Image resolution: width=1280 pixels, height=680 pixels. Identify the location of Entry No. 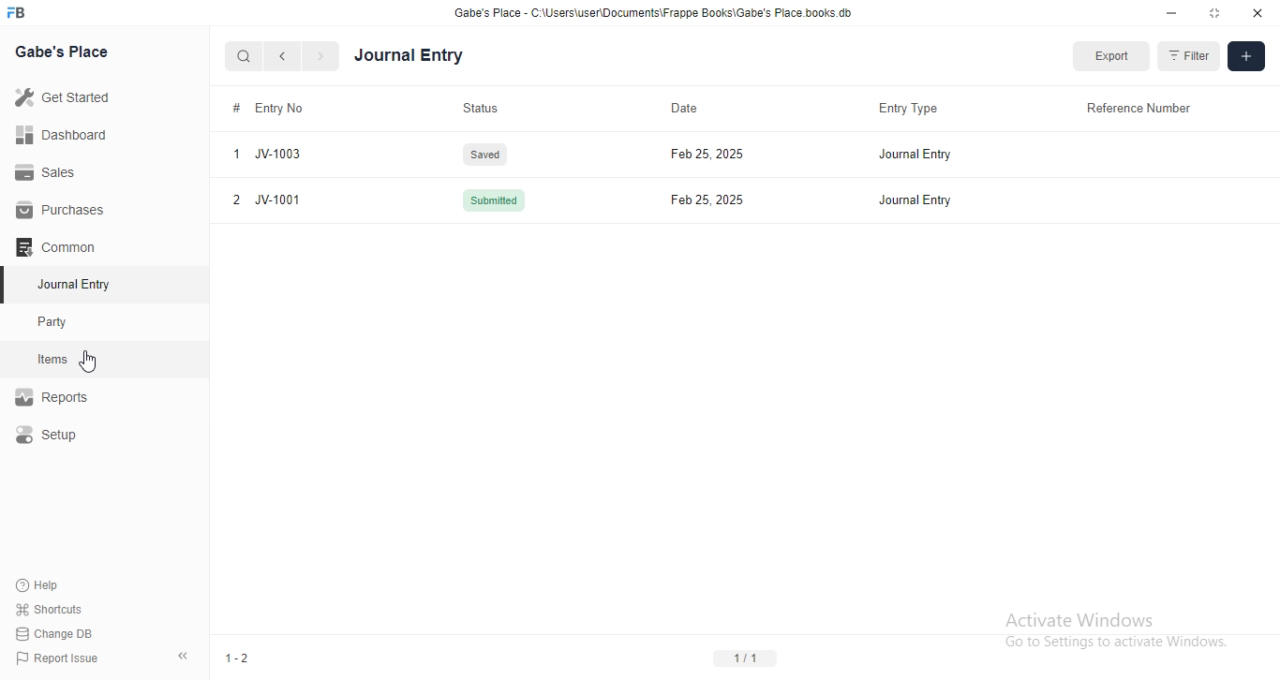
(281, 109).